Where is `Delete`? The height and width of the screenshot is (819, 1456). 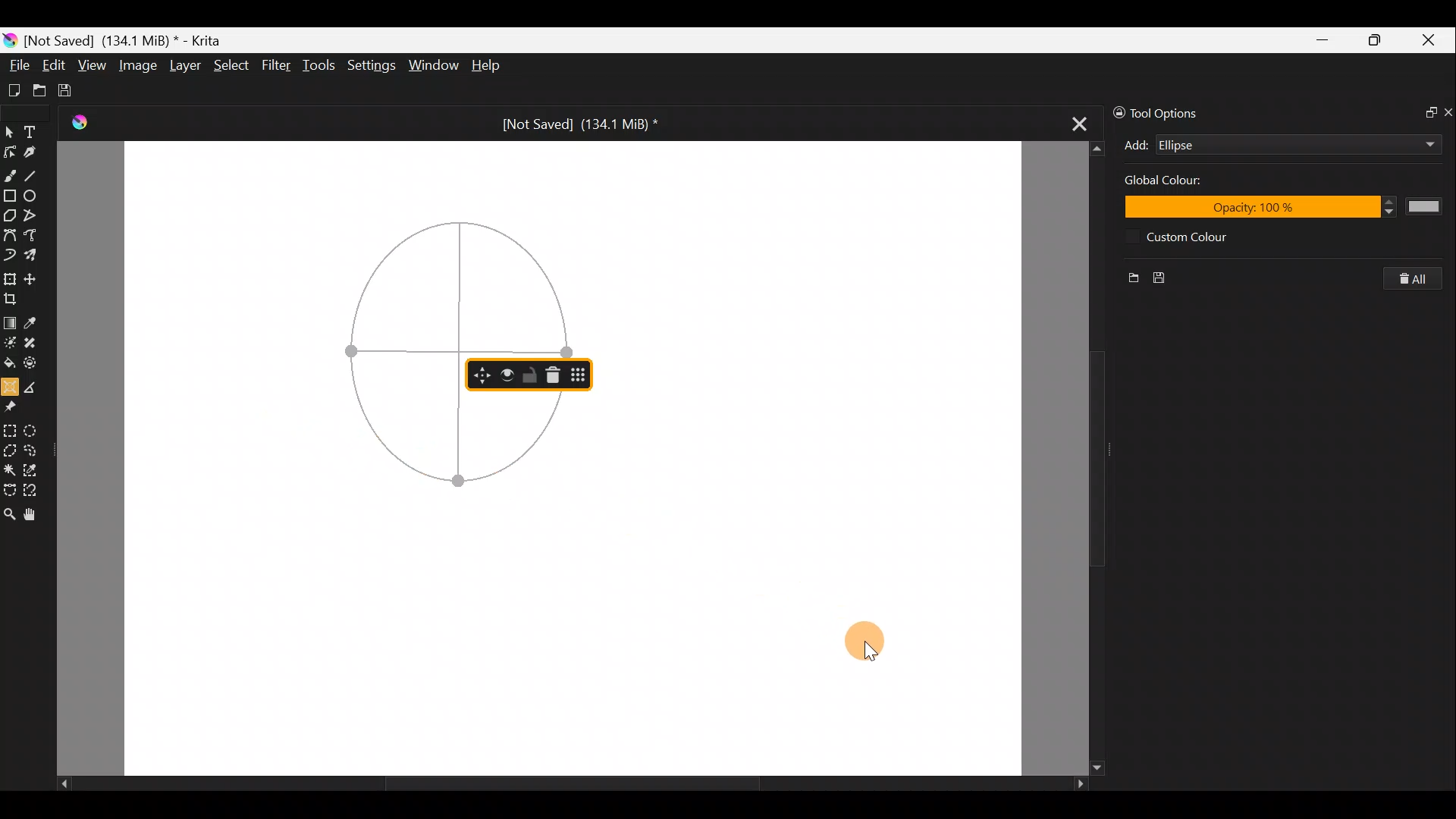 Delete is located at coordinates (556, 373).